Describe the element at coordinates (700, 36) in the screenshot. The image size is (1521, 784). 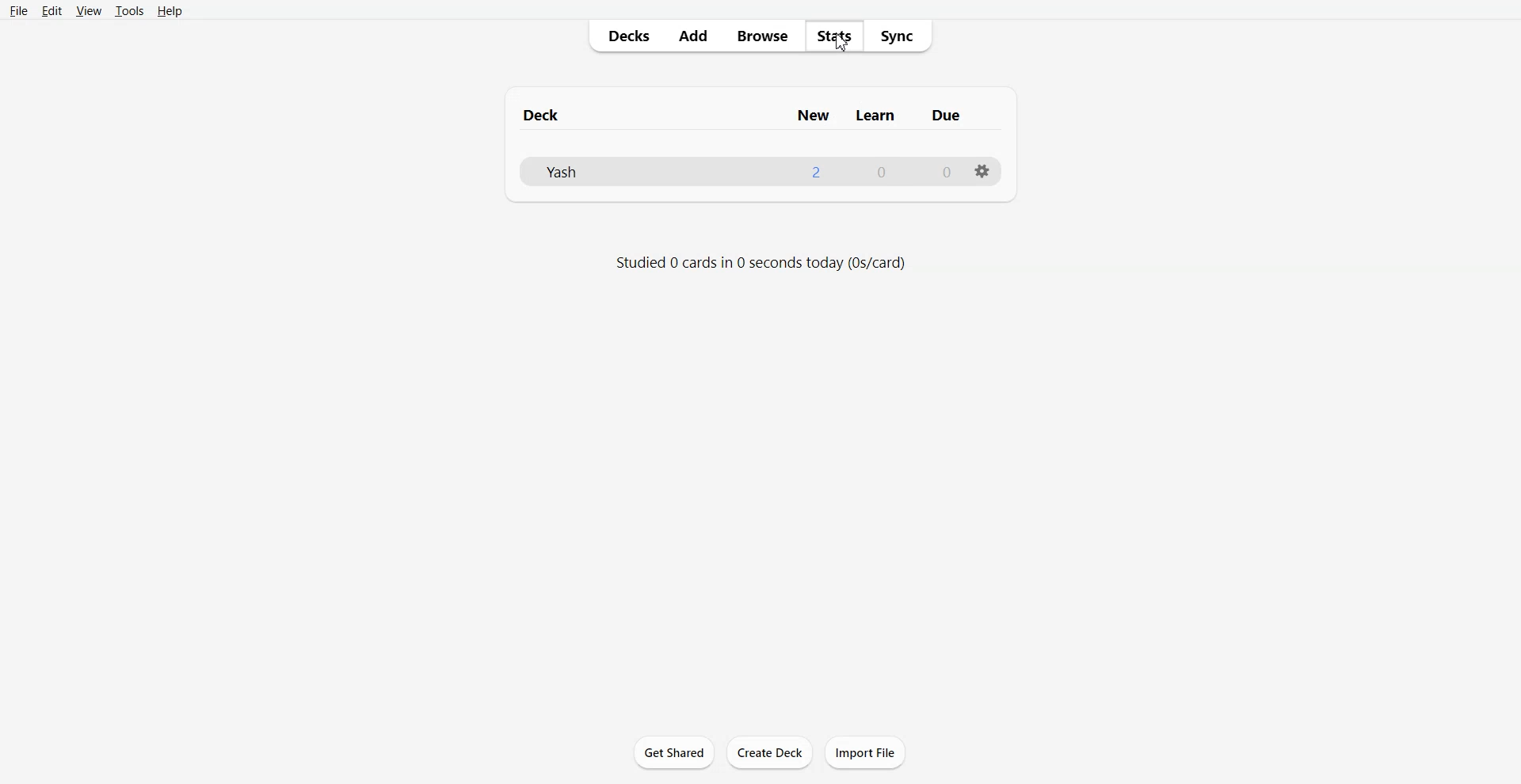
I see `Add` at that location.